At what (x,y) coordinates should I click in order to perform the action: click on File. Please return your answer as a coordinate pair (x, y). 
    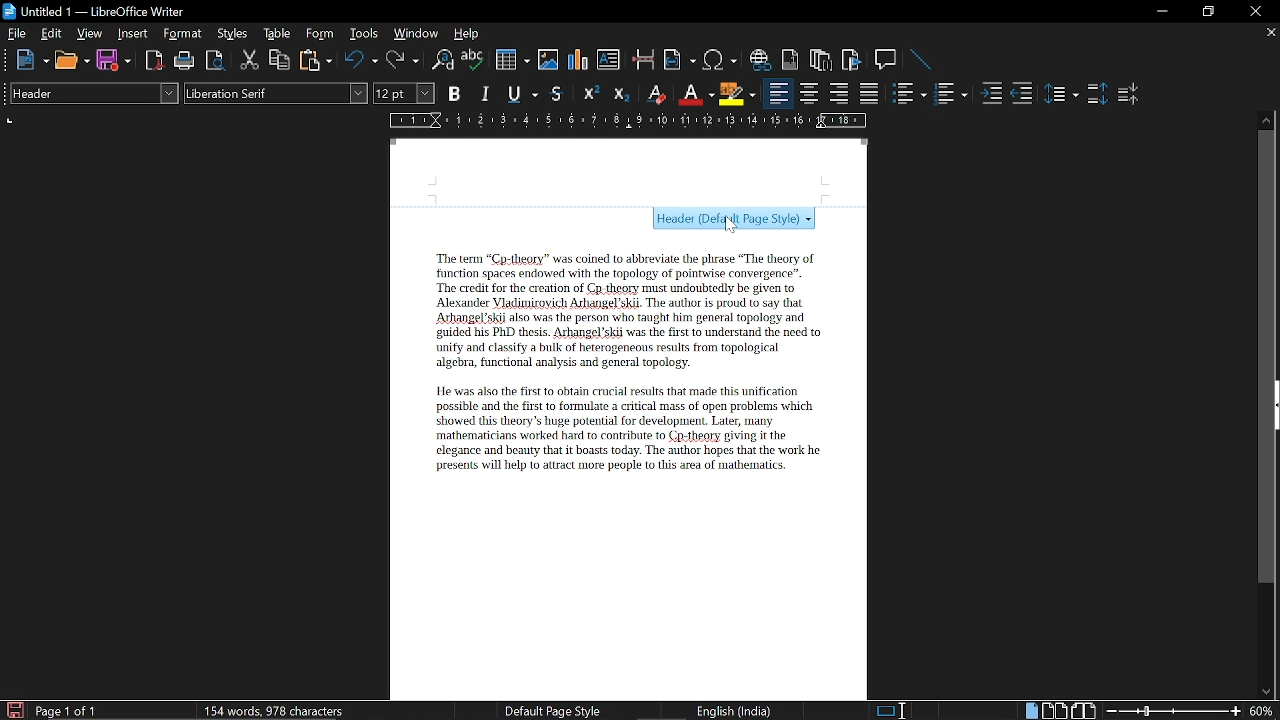
    Looking at the image, I should click on (17, 33).